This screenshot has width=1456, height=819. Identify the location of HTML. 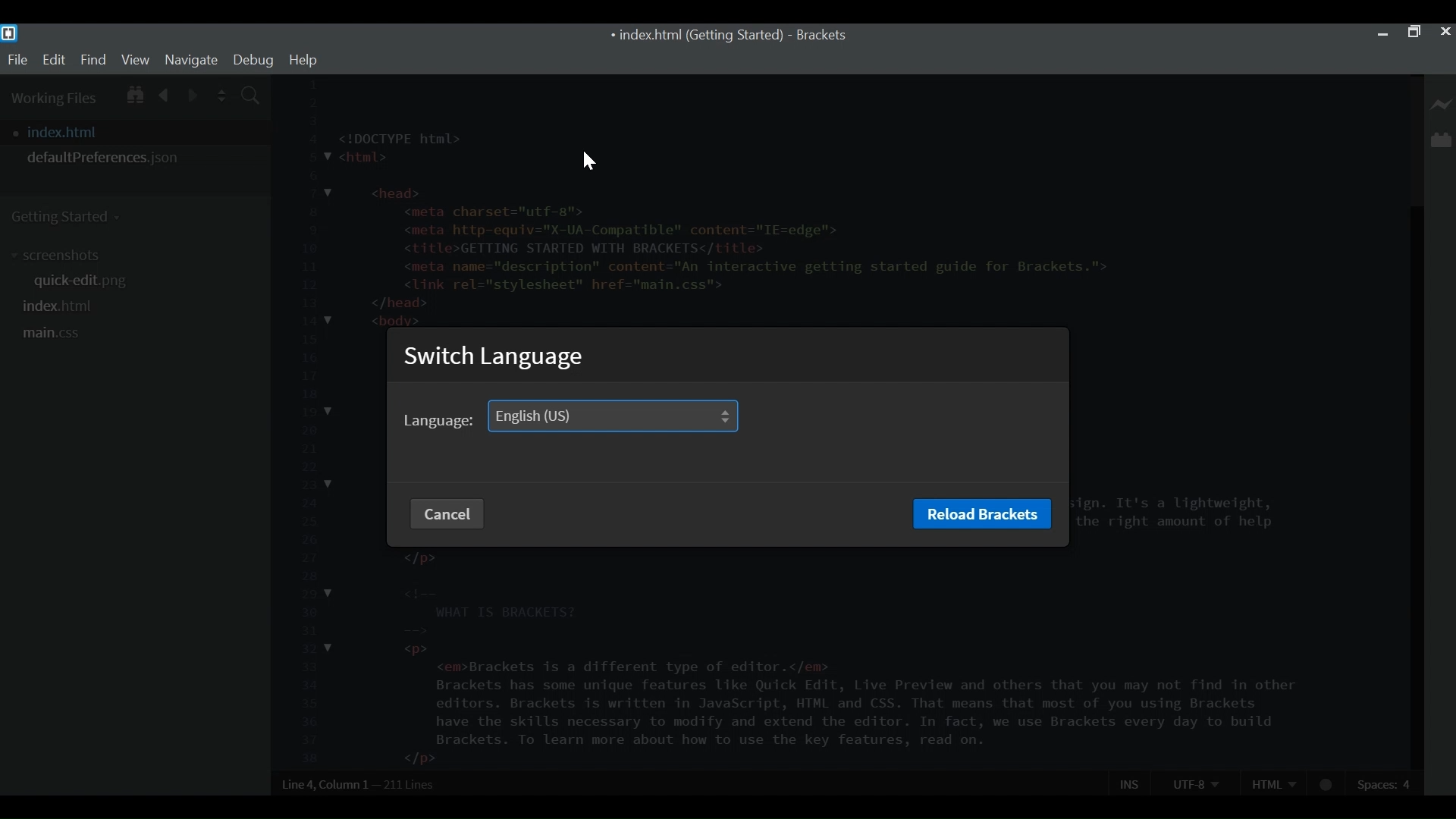
(1273, 783).